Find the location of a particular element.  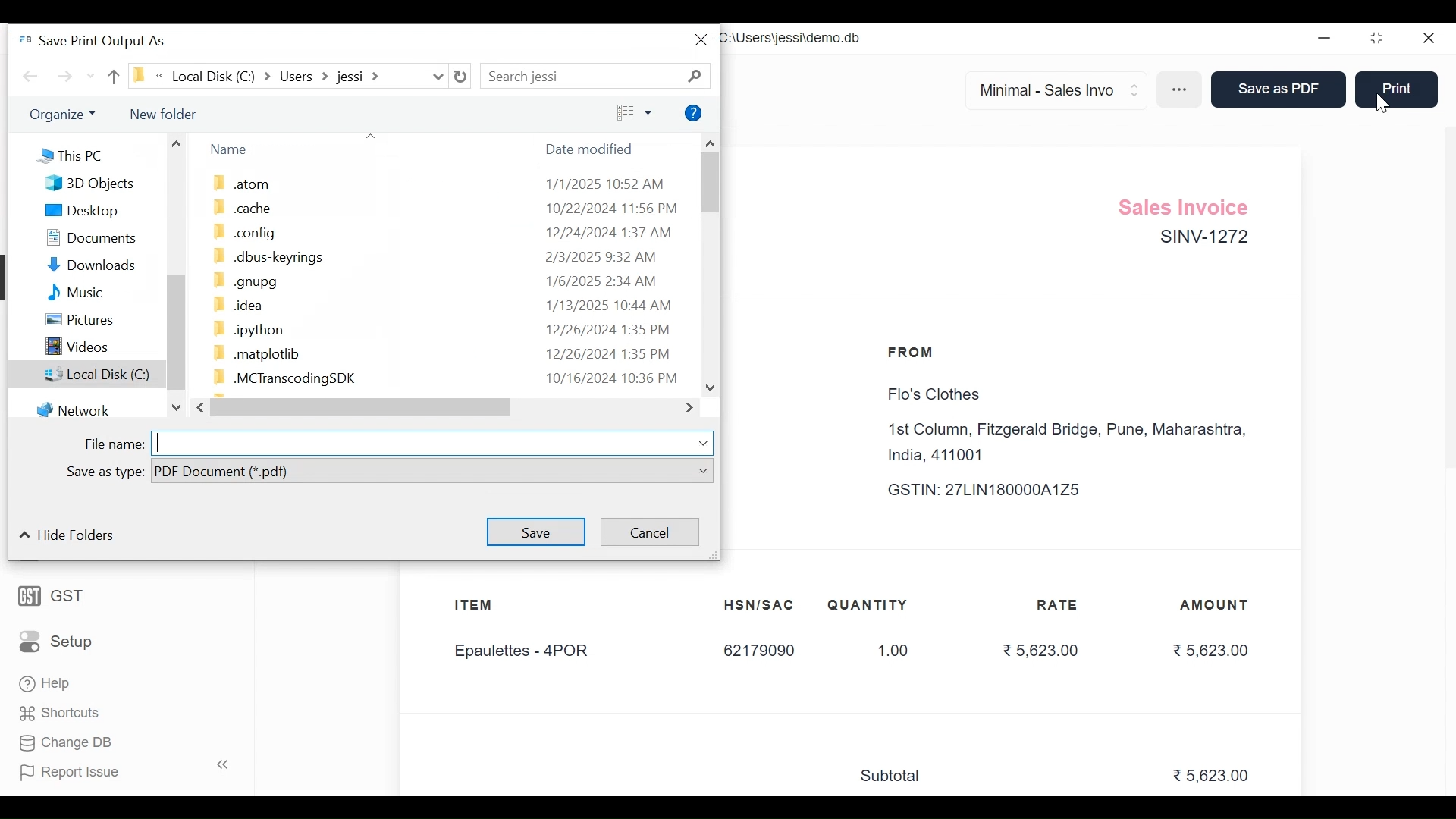

Epaulettes - 4POR is located at coordinates (530, 652).